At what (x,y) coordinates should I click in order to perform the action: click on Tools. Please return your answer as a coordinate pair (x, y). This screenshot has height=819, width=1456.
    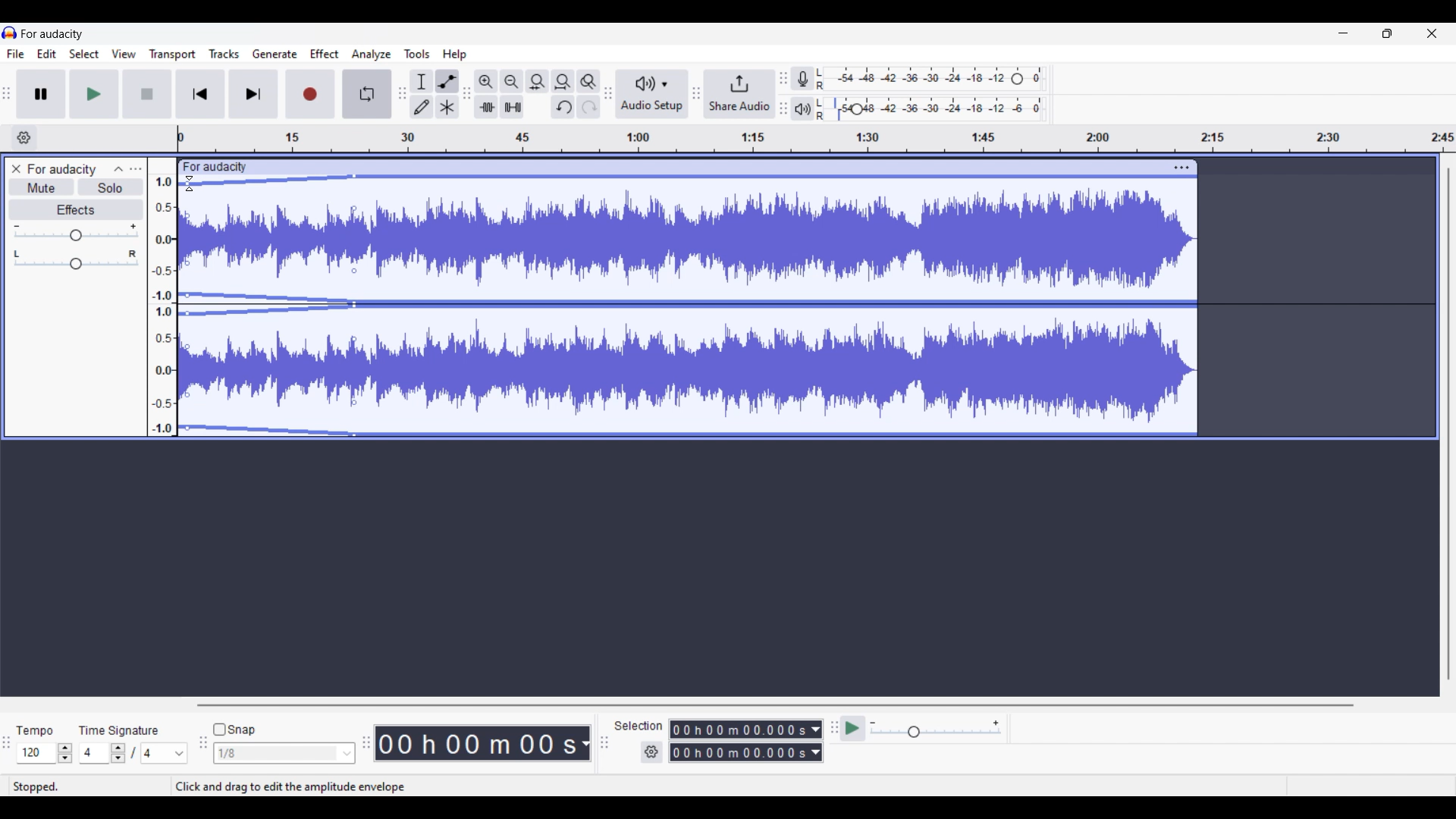
    Looking at the image, I should click on (416, 54).